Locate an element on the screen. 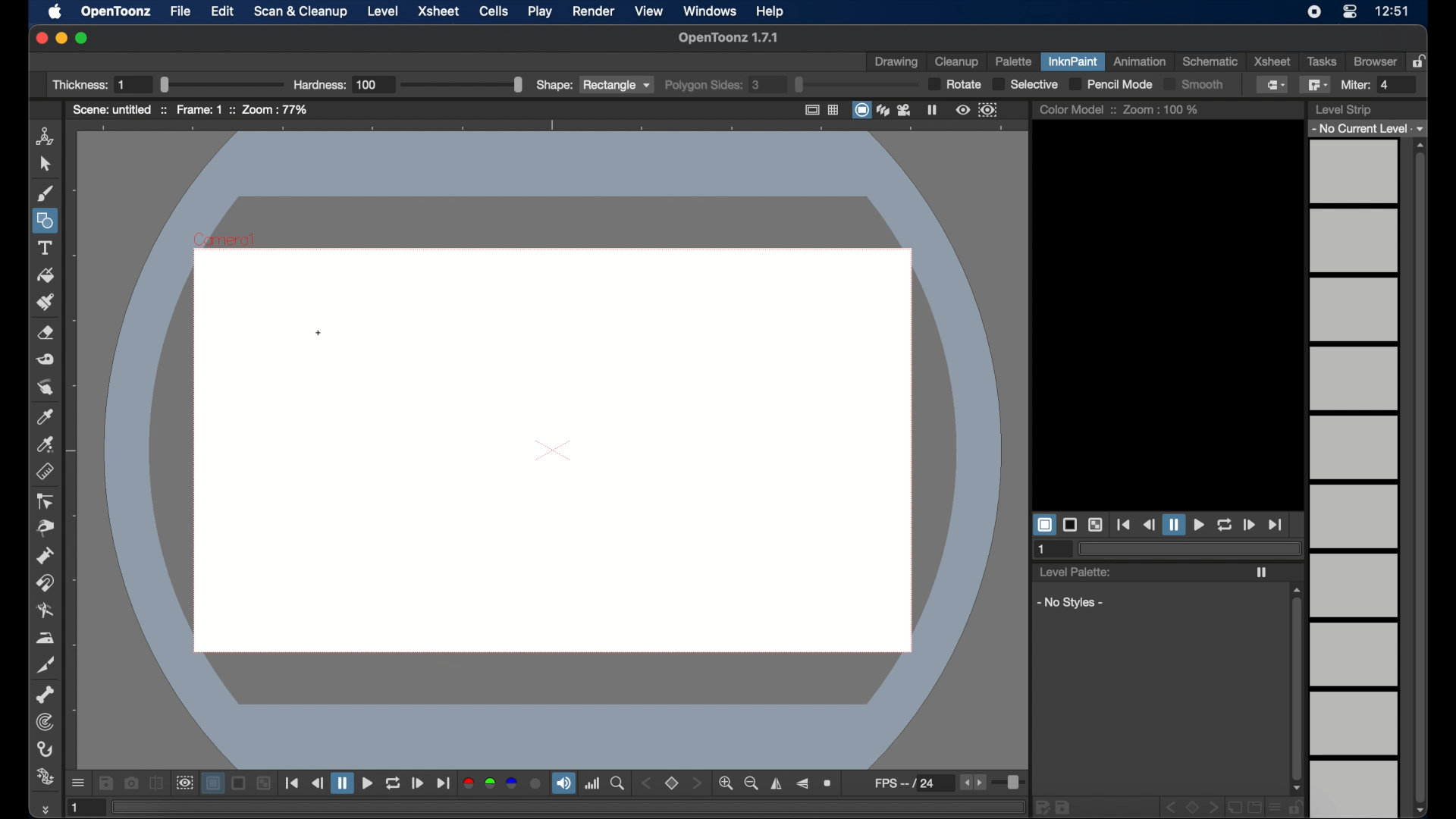 This screenshot has width=1456, height=819. camera stand view is located at coordinates (861, 109).